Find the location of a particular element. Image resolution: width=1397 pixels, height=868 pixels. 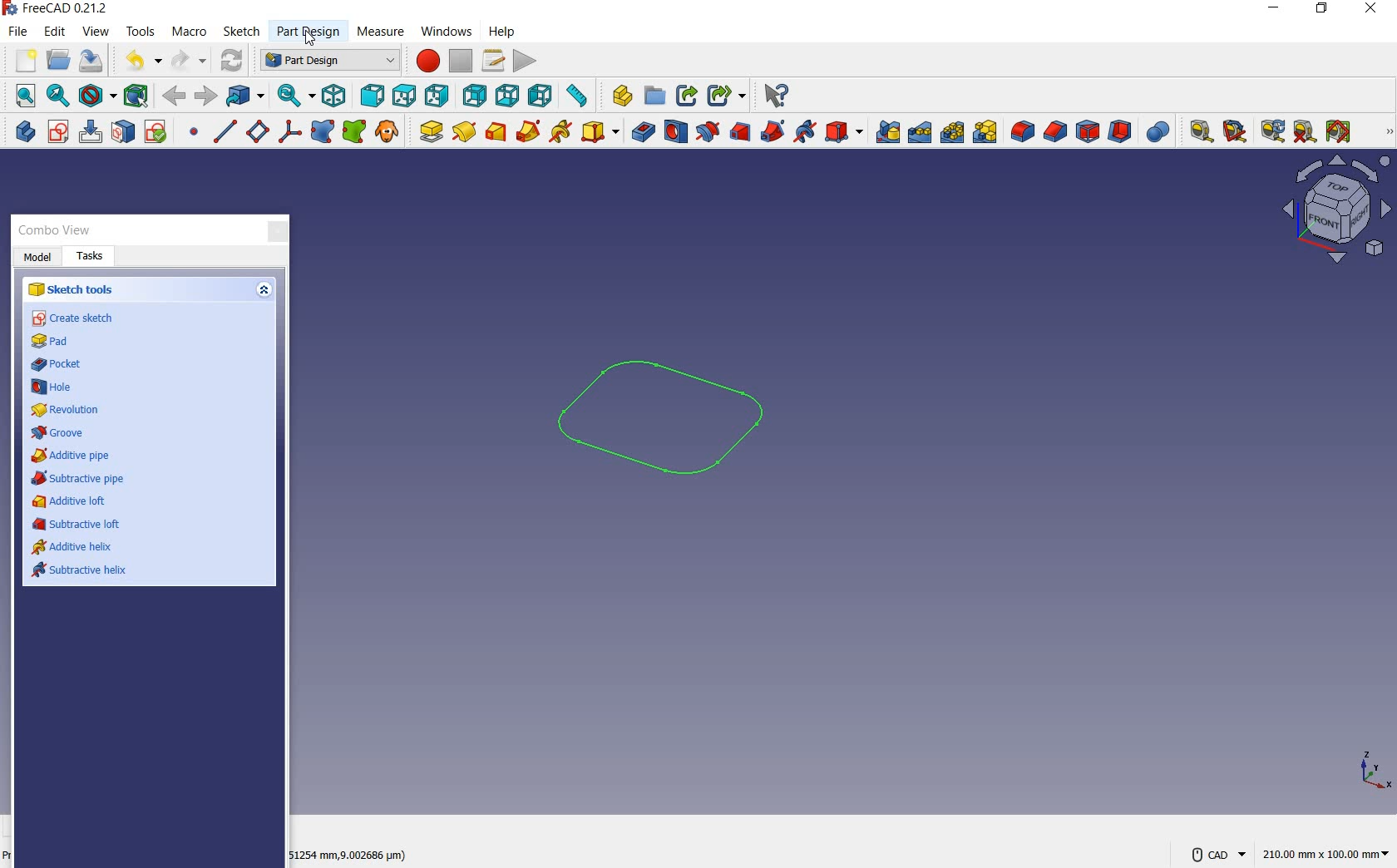

create a subtractive primitive is located at coordinates (846, 131).